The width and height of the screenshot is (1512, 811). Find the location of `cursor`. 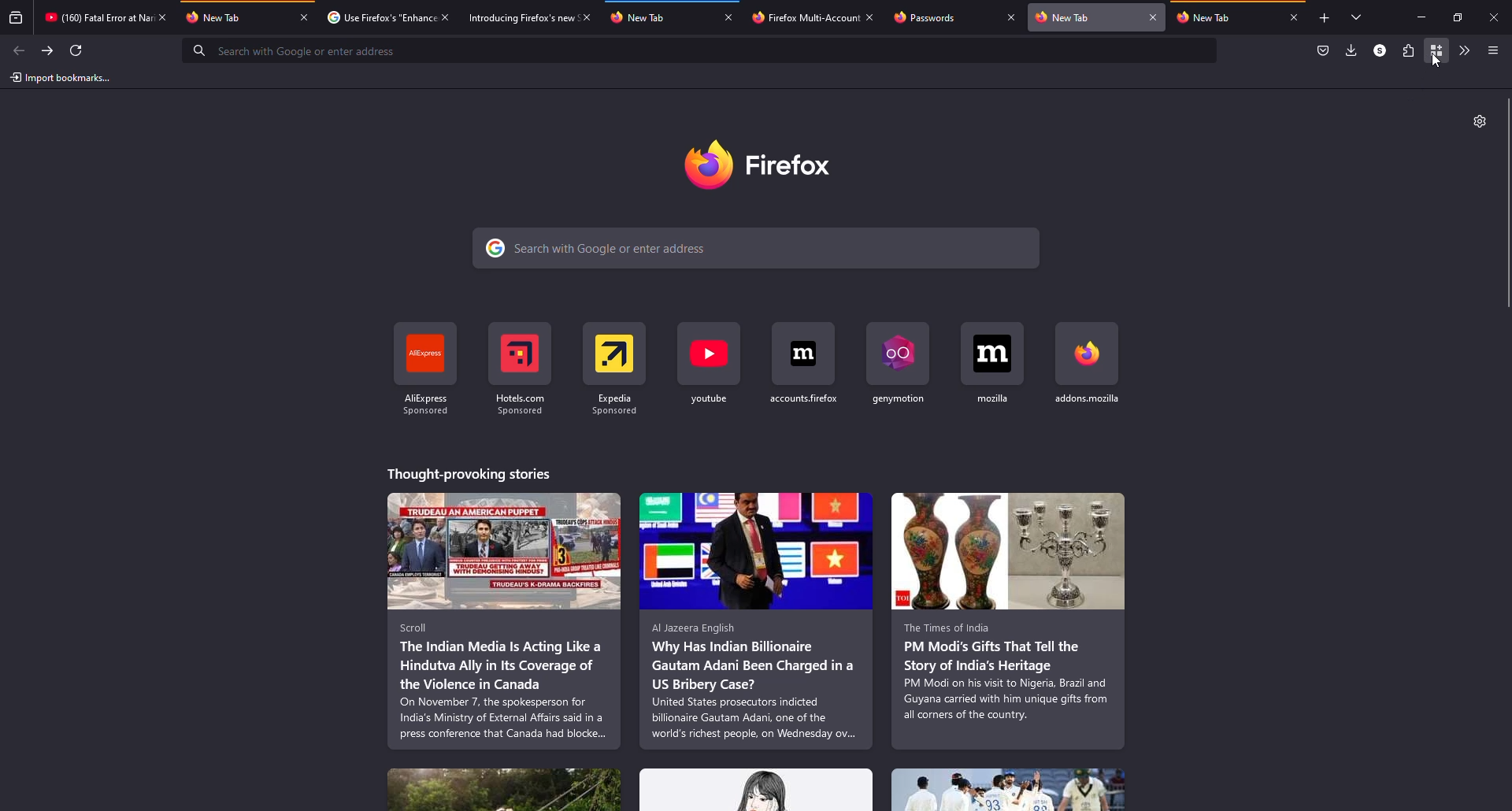

cursor is located at coordinates (1436, 61).